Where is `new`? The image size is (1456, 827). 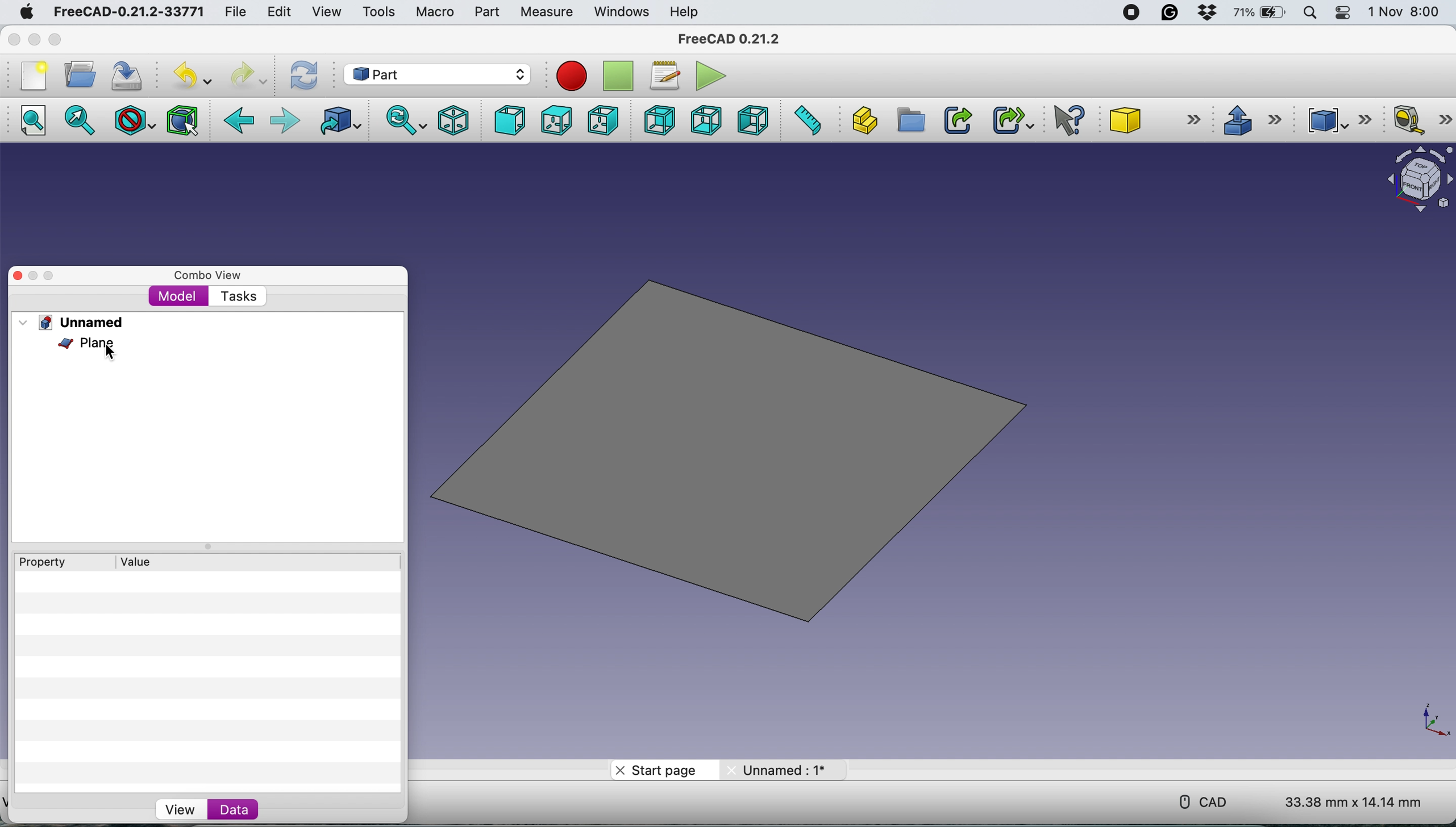
new is located at coordinates (32, 73).